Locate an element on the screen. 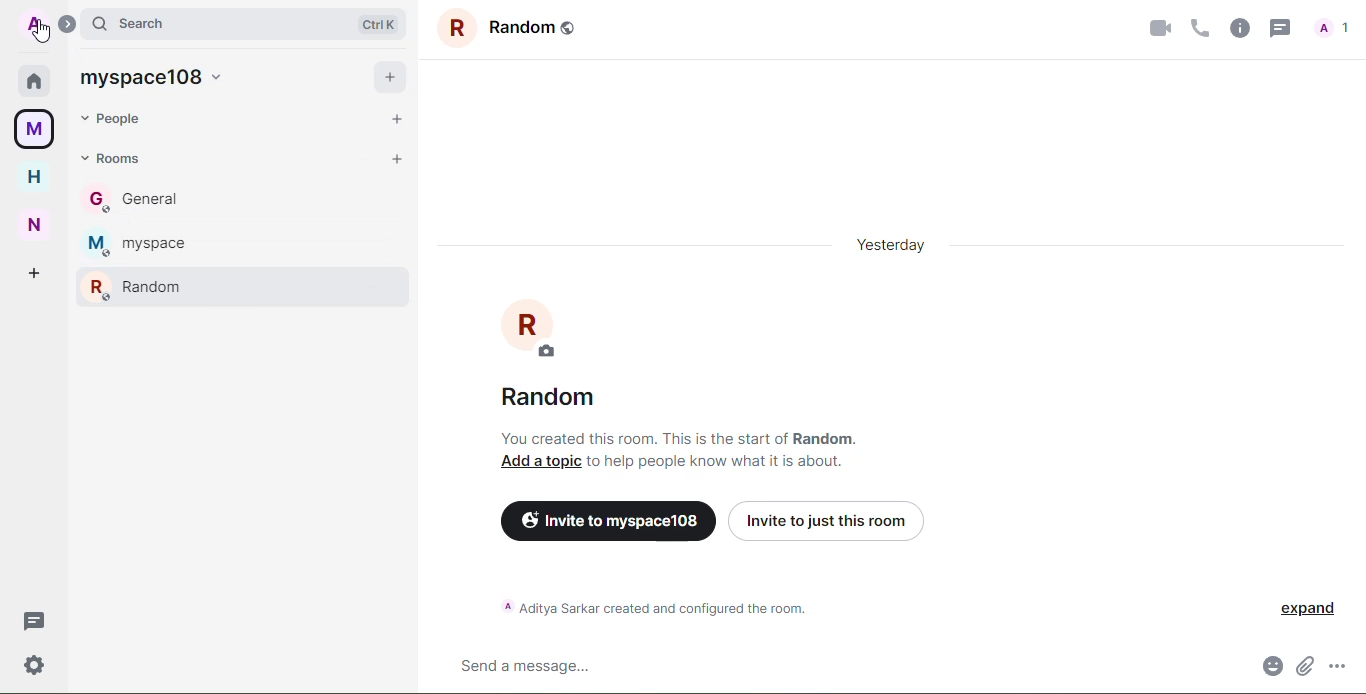 This screenshot has height=694, width=1366. threads is located at coordinates (35, 620).